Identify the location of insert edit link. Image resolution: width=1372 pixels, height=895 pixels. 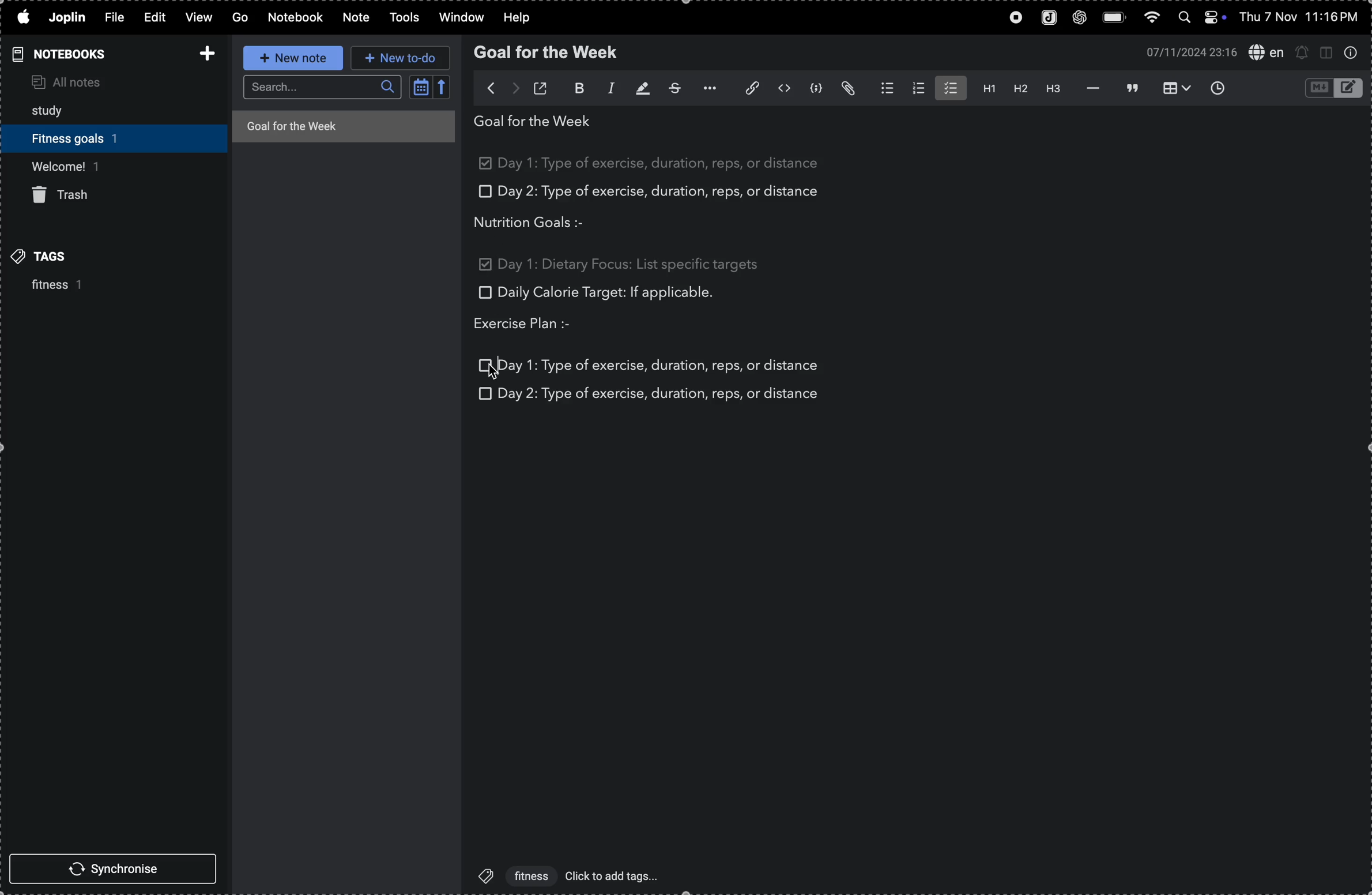
(745, 88).